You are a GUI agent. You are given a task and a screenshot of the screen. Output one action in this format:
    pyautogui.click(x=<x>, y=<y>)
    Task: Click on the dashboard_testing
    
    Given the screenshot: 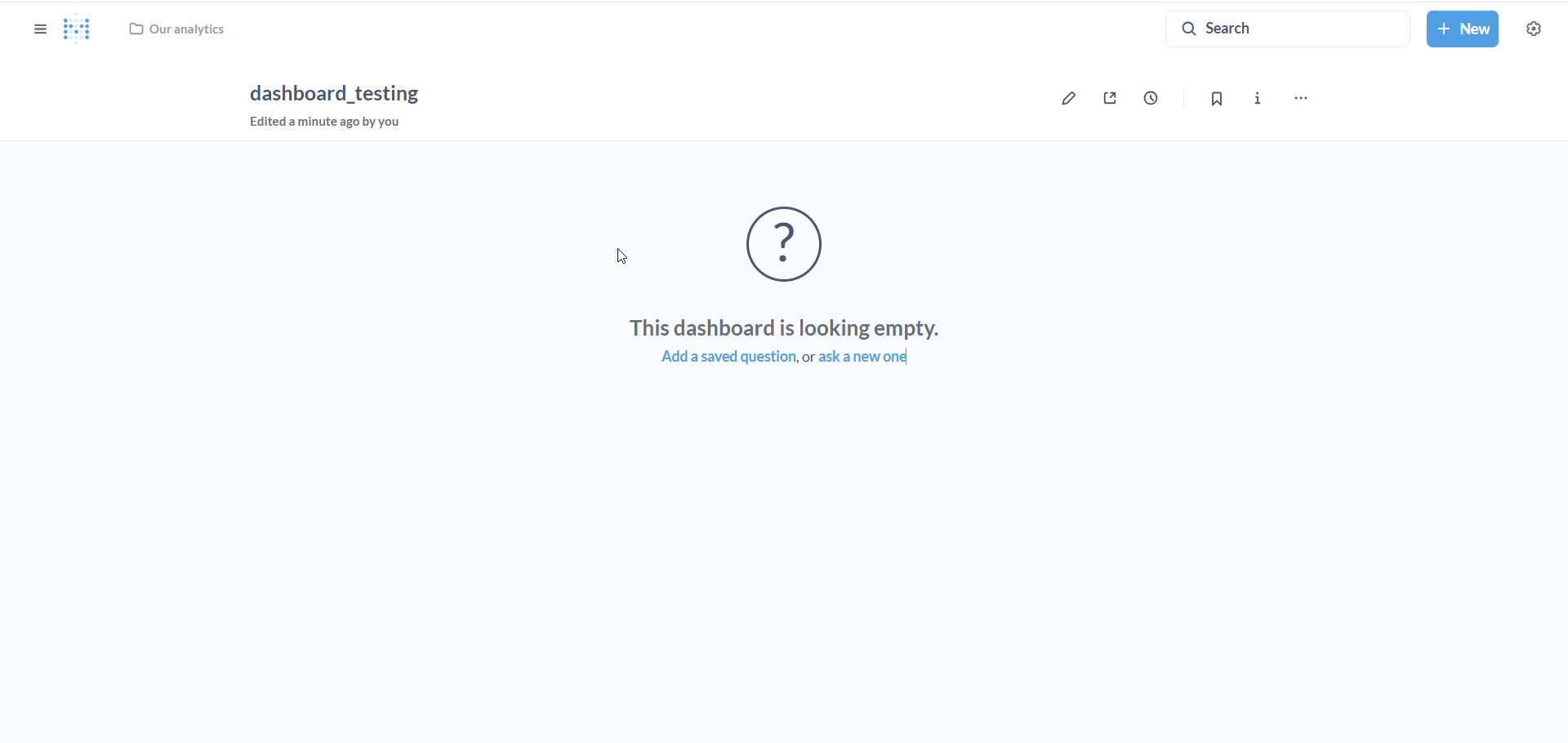 What is the action you would take?
    pyautogui.click(x=342, y=92)
    